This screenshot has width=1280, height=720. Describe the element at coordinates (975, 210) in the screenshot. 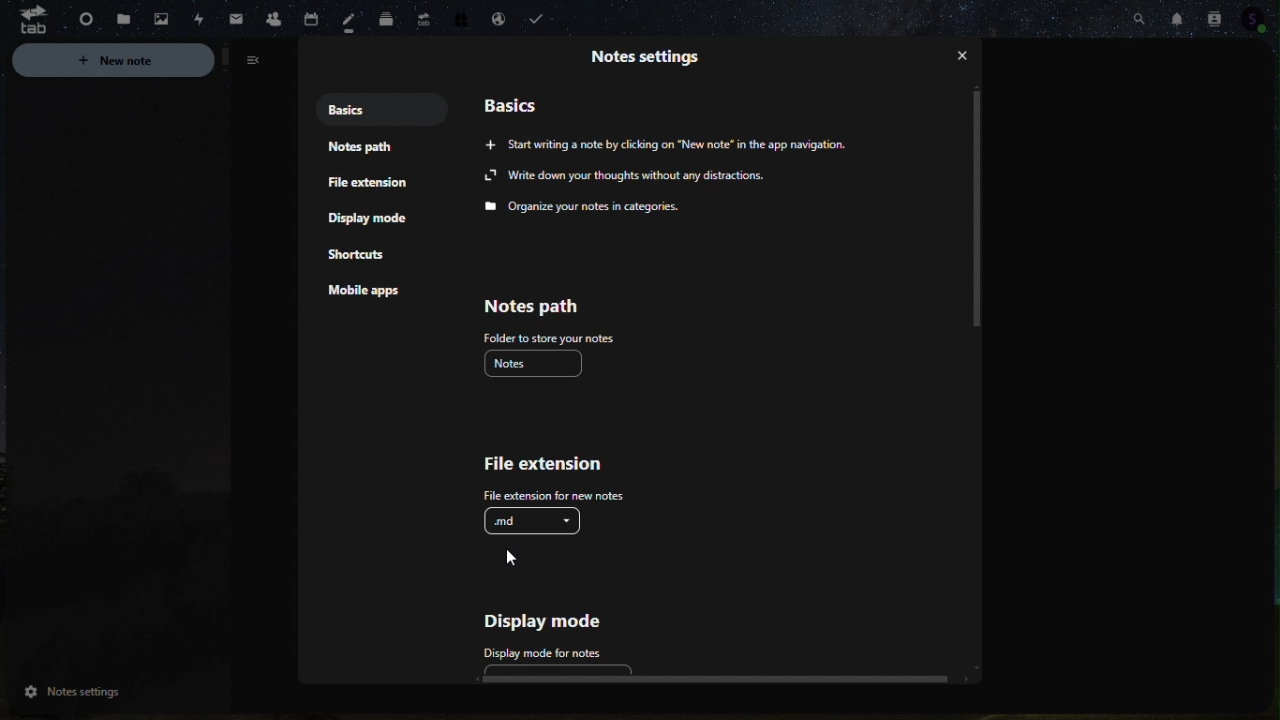

I see `vertical scroll bar` at that location.